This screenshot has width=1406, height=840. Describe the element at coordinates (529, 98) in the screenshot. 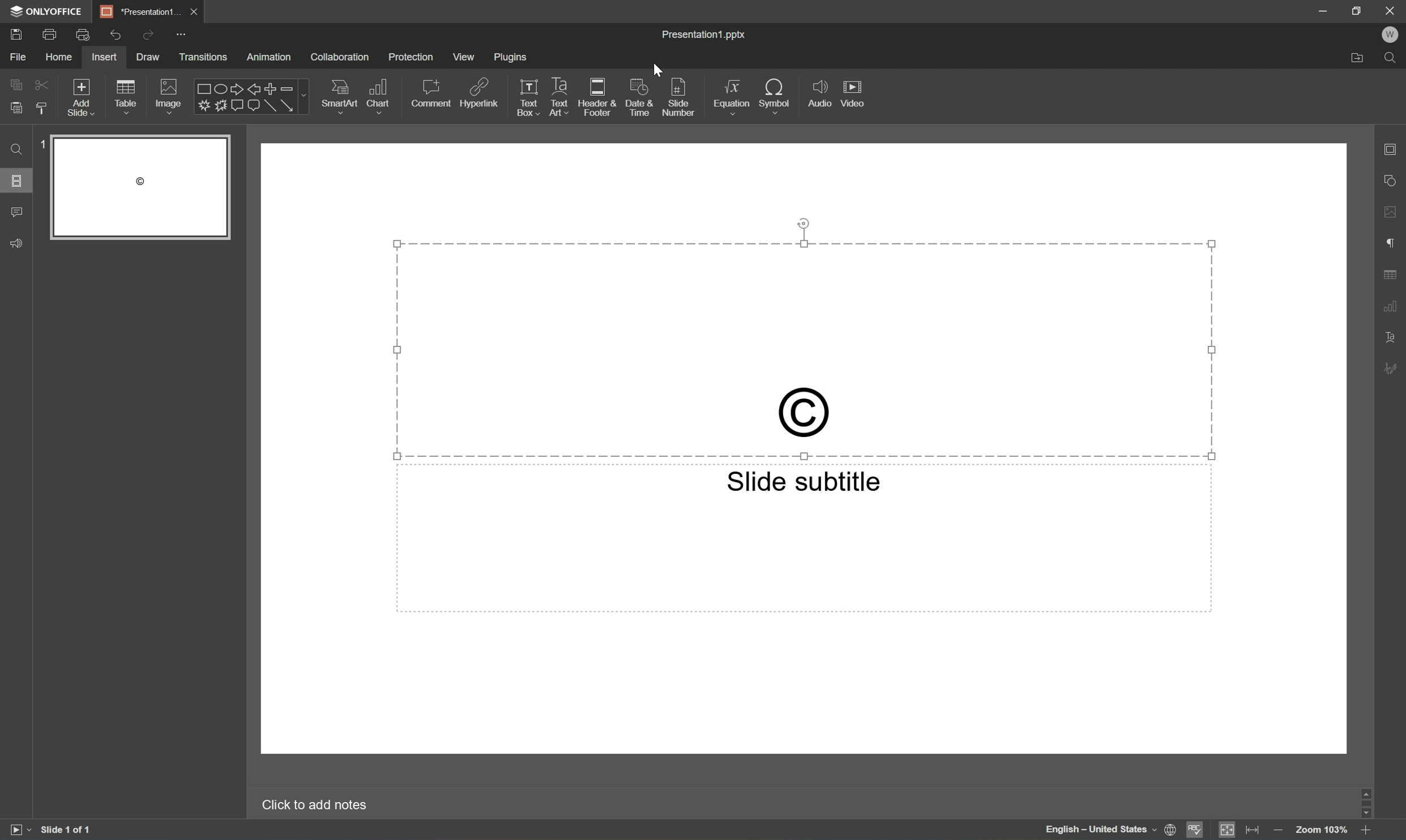

I see `Text Box` at that location.